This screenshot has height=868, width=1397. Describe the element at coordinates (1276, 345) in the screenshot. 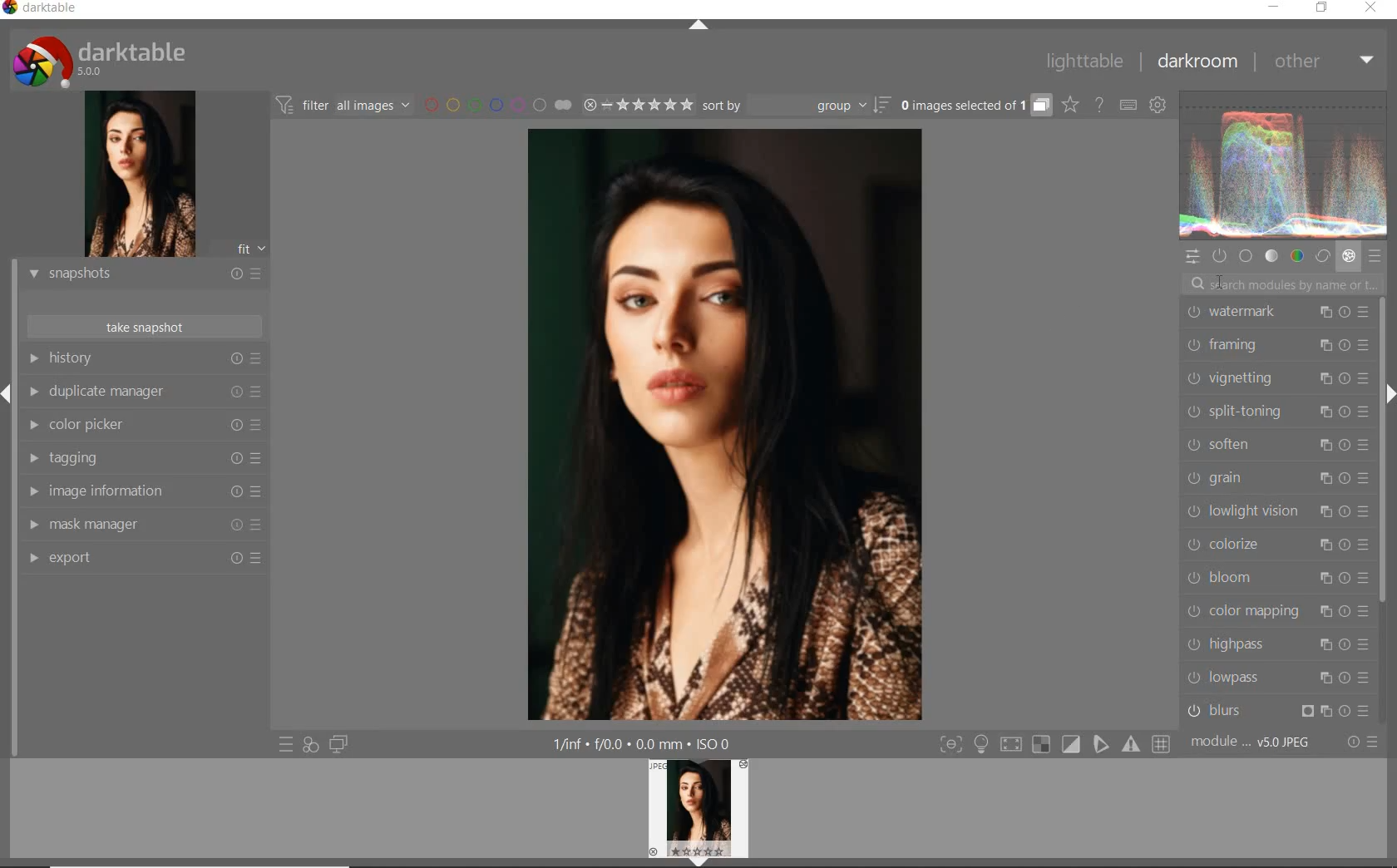

I see `framing` at that location.